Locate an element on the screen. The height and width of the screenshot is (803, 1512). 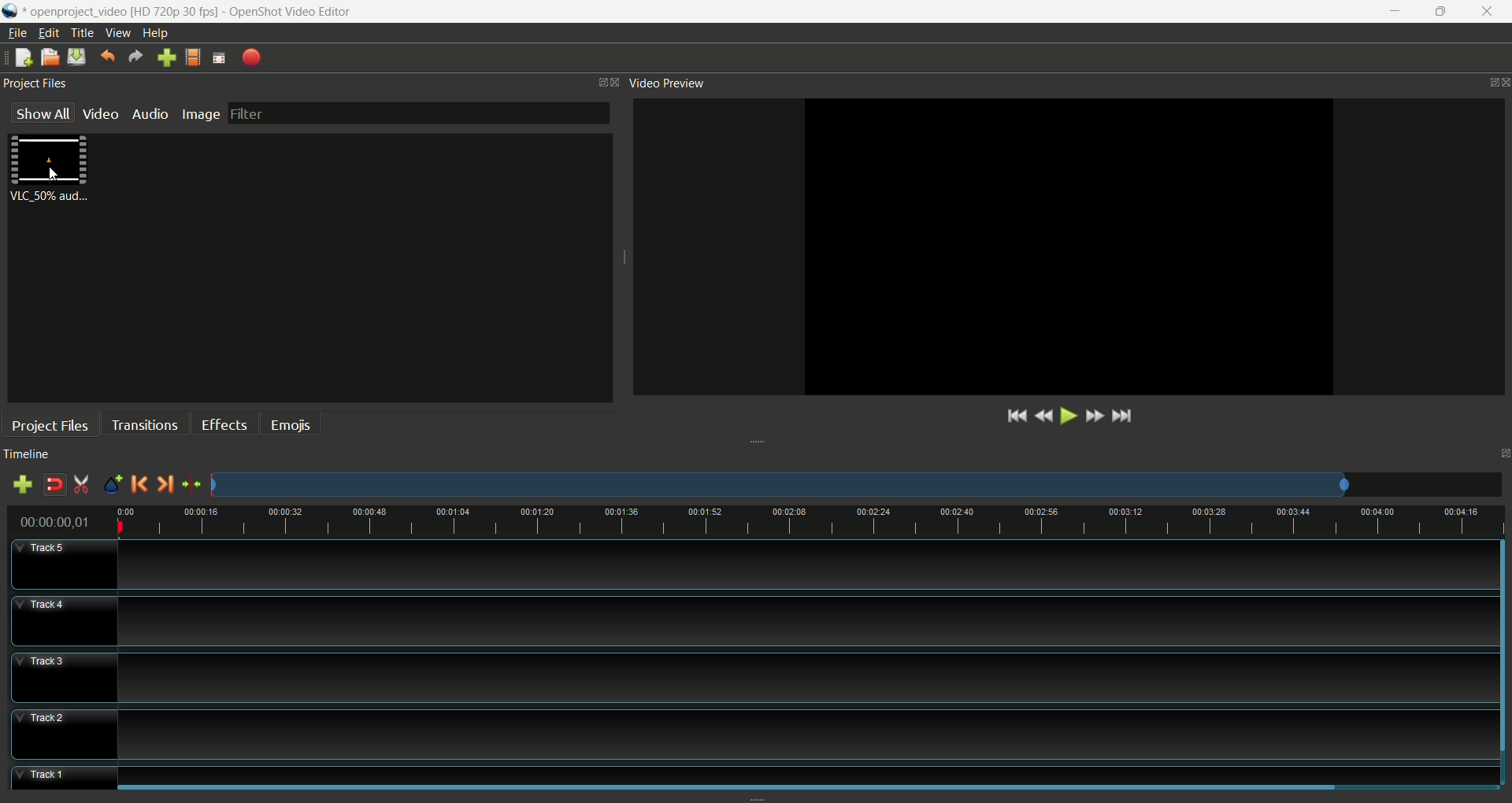
zoom factor is located at coordinates (857, 485).